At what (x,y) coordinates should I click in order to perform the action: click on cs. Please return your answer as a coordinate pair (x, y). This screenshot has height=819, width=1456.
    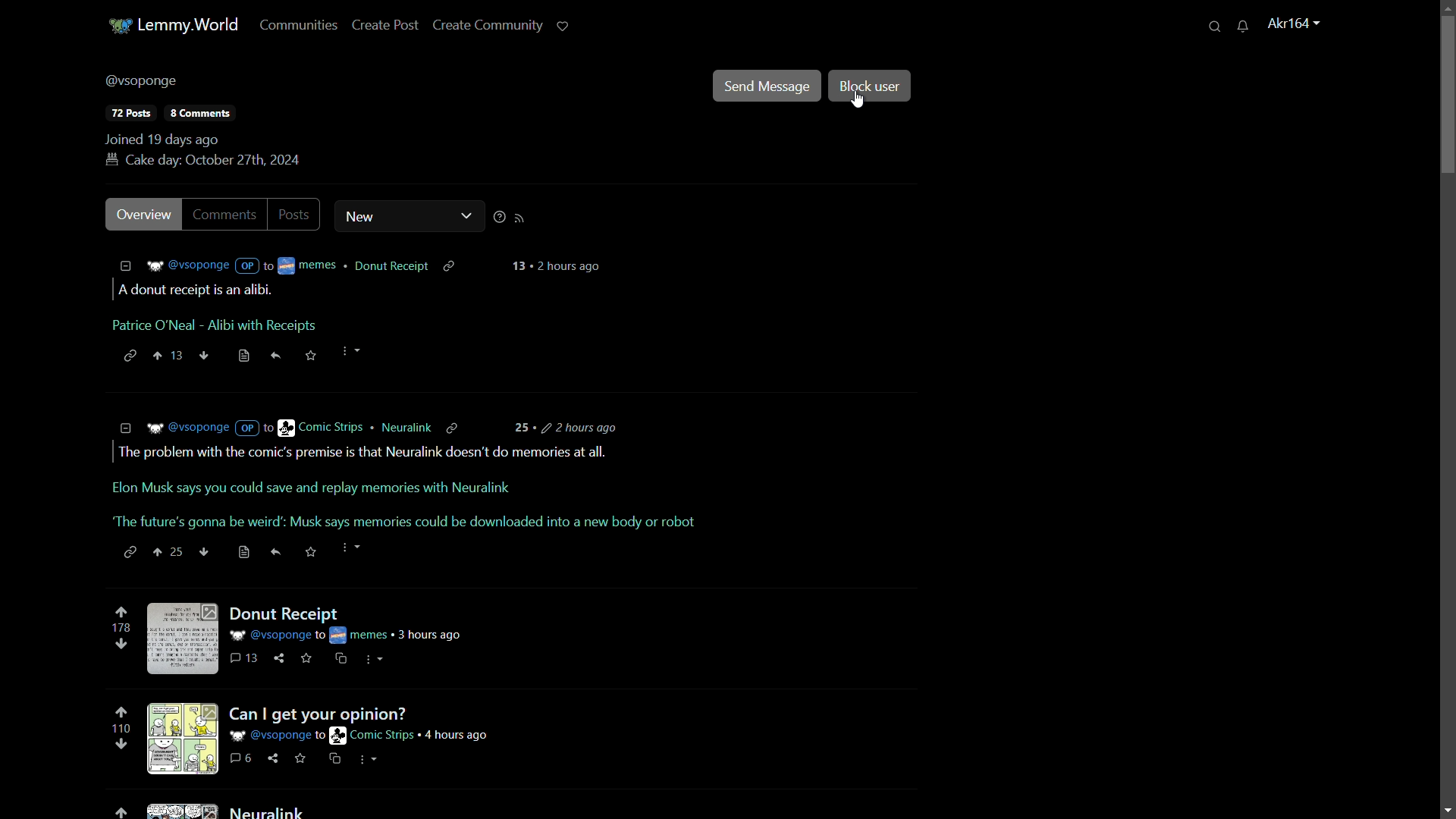
    Looking at the image, I should click on (339, 661).